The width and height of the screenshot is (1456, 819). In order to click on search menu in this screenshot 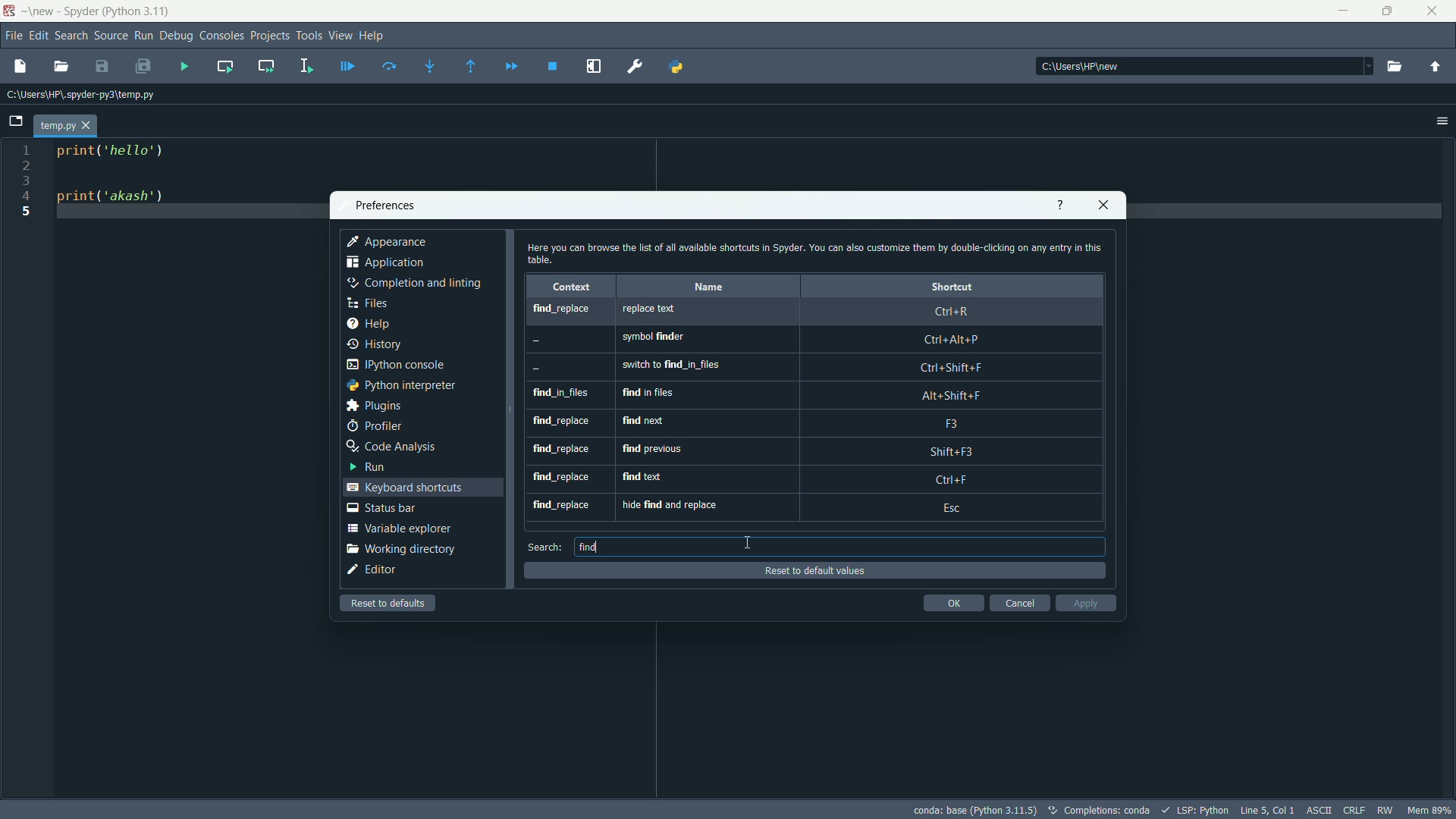, I will do `click(72, 34)`.